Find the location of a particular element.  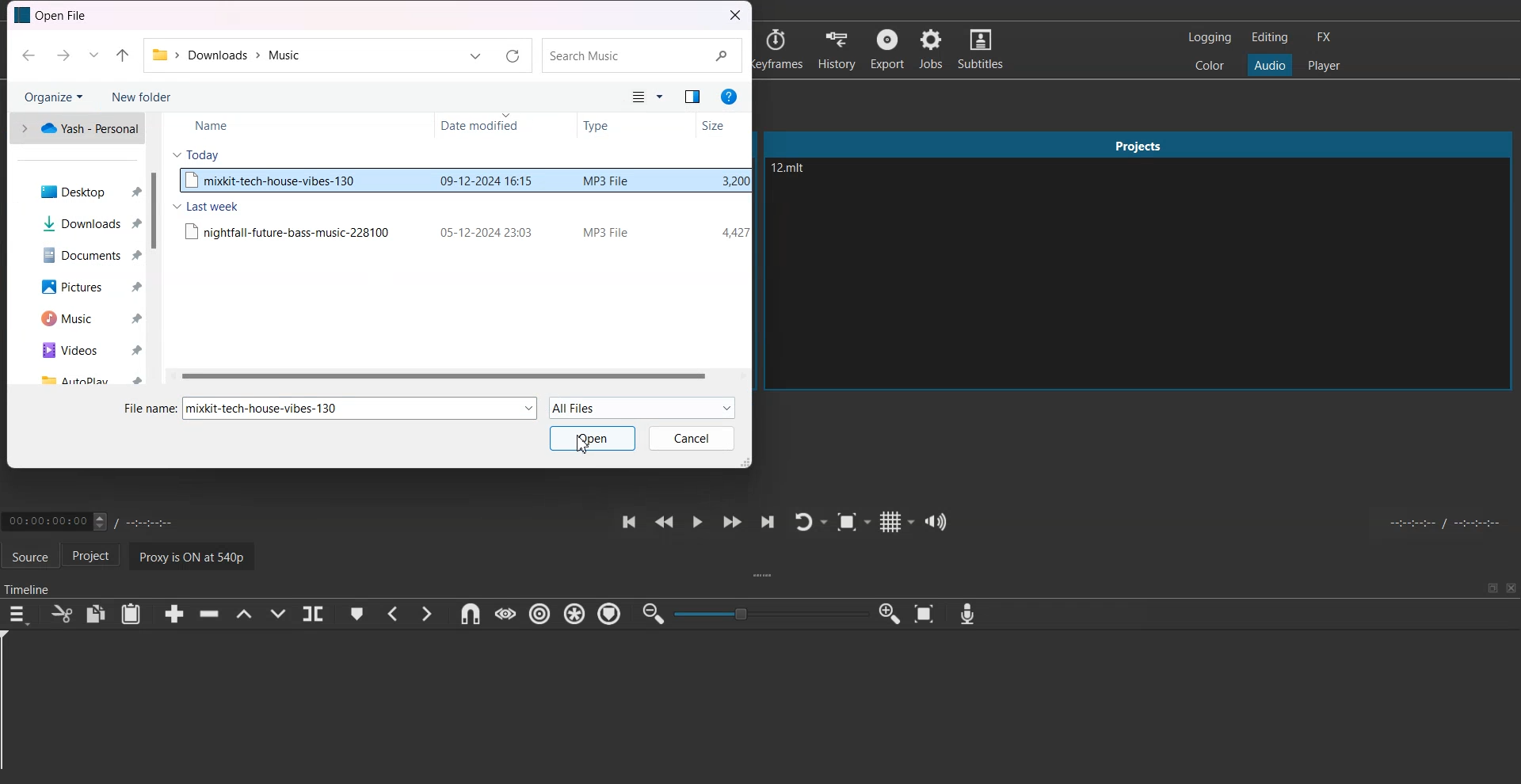

Drag Handle is located at coordinates (765, 577).